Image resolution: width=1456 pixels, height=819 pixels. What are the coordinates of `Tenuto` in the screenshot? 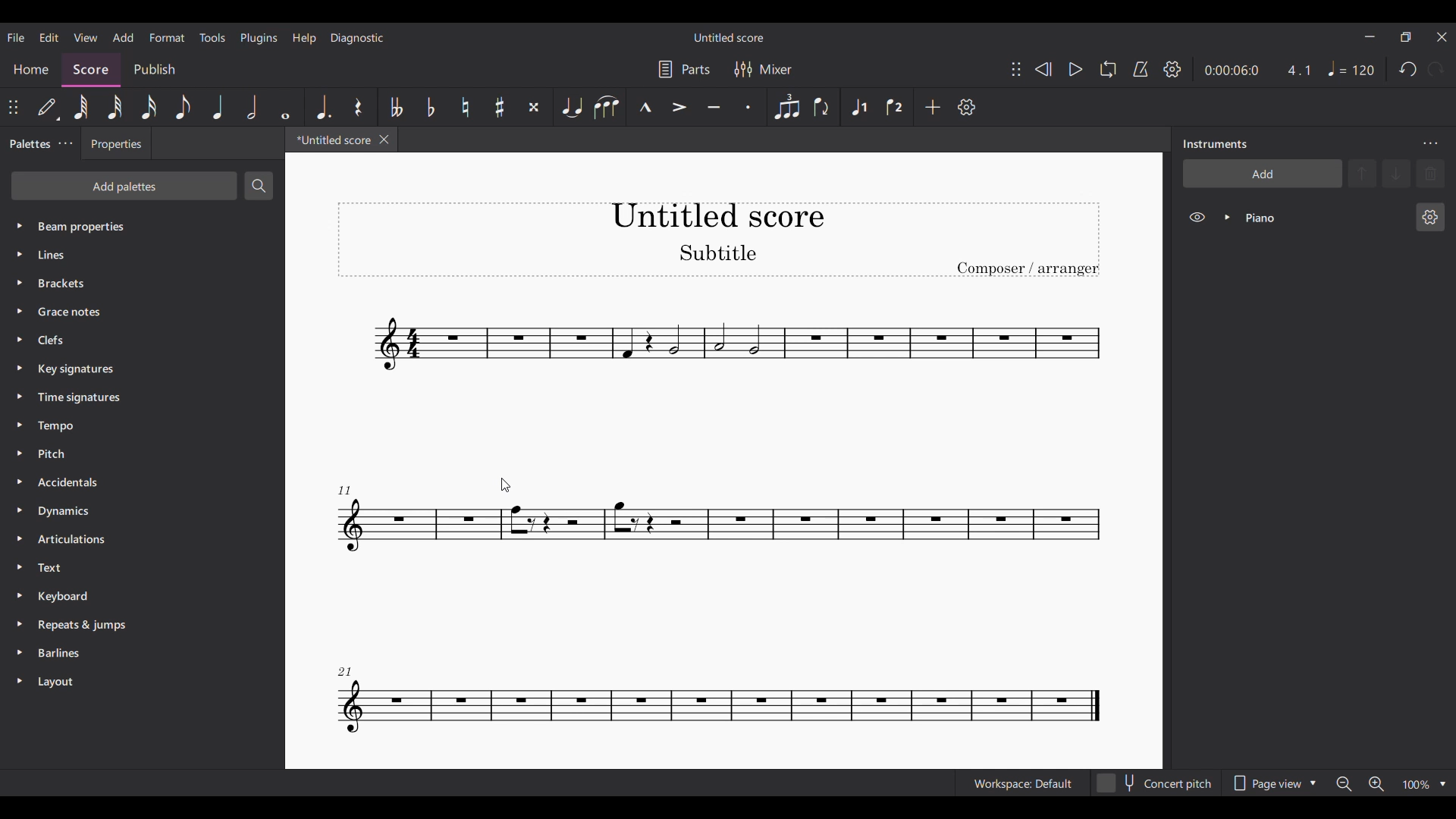 It's located at (714, 107).